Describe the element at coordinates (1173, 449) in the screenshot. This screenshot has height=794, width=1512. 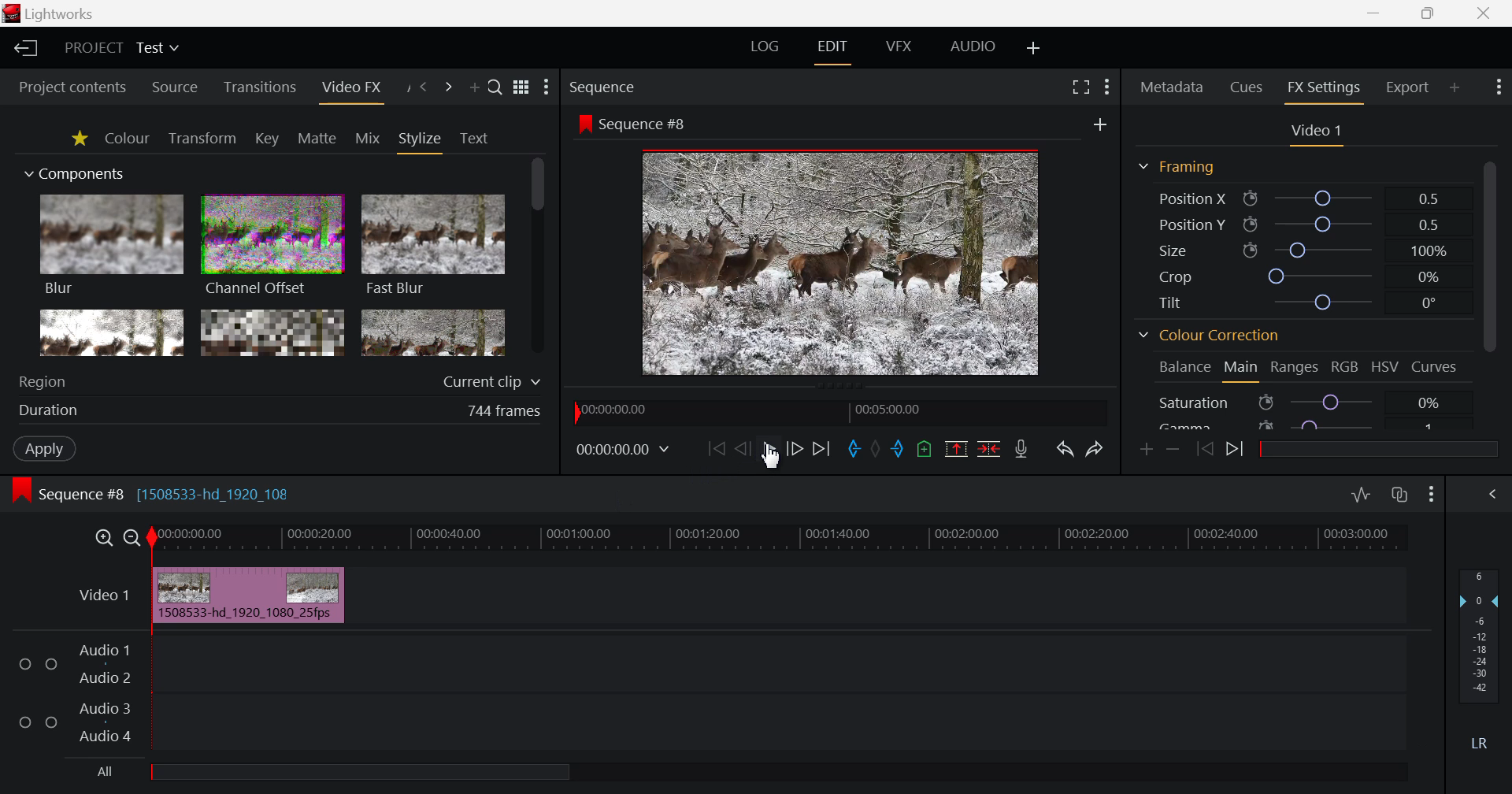
I see `Remove keyframe` at that location.